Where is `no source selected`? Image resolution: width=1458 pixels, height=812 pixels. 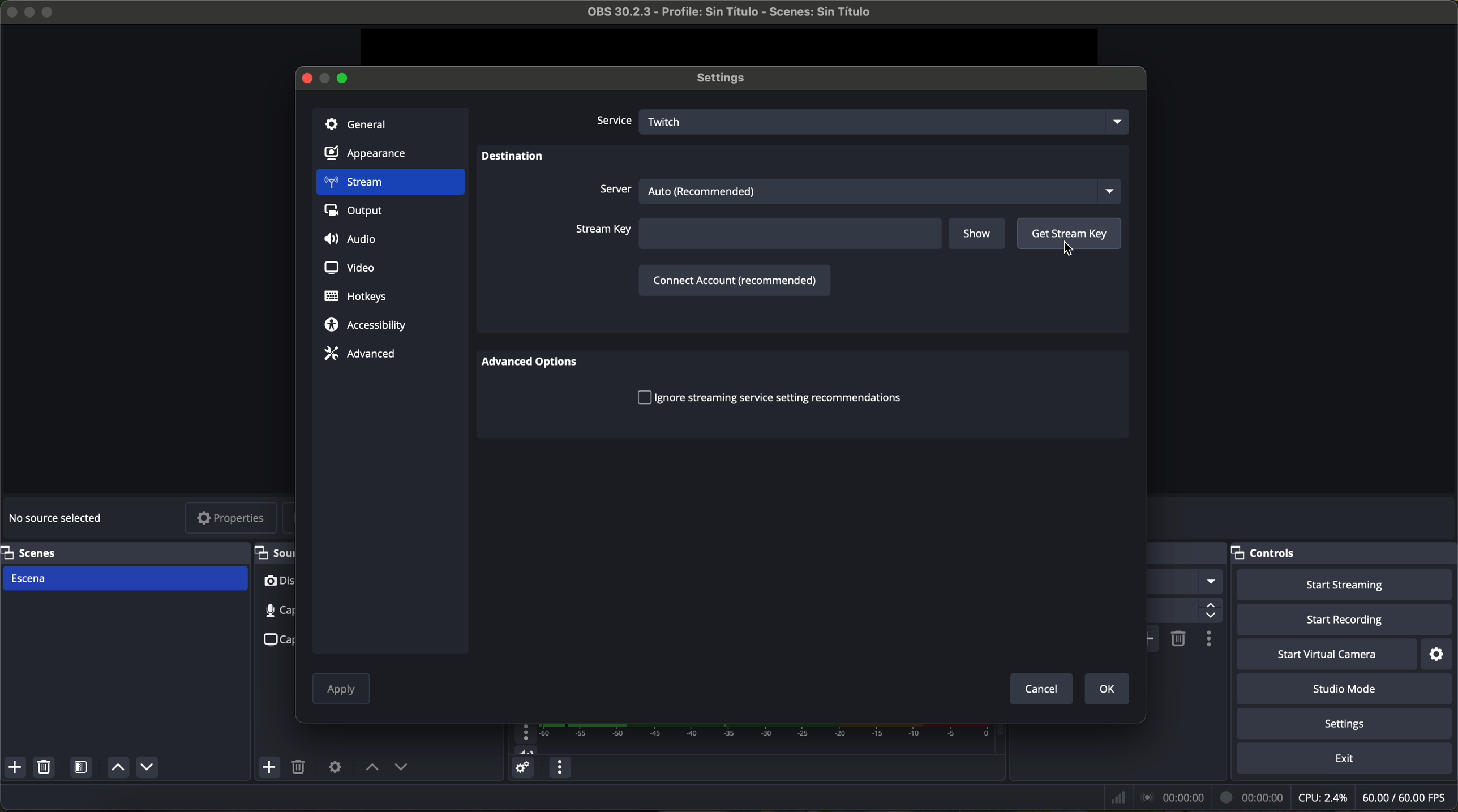 no source selected is located at coordinates (59, 516).